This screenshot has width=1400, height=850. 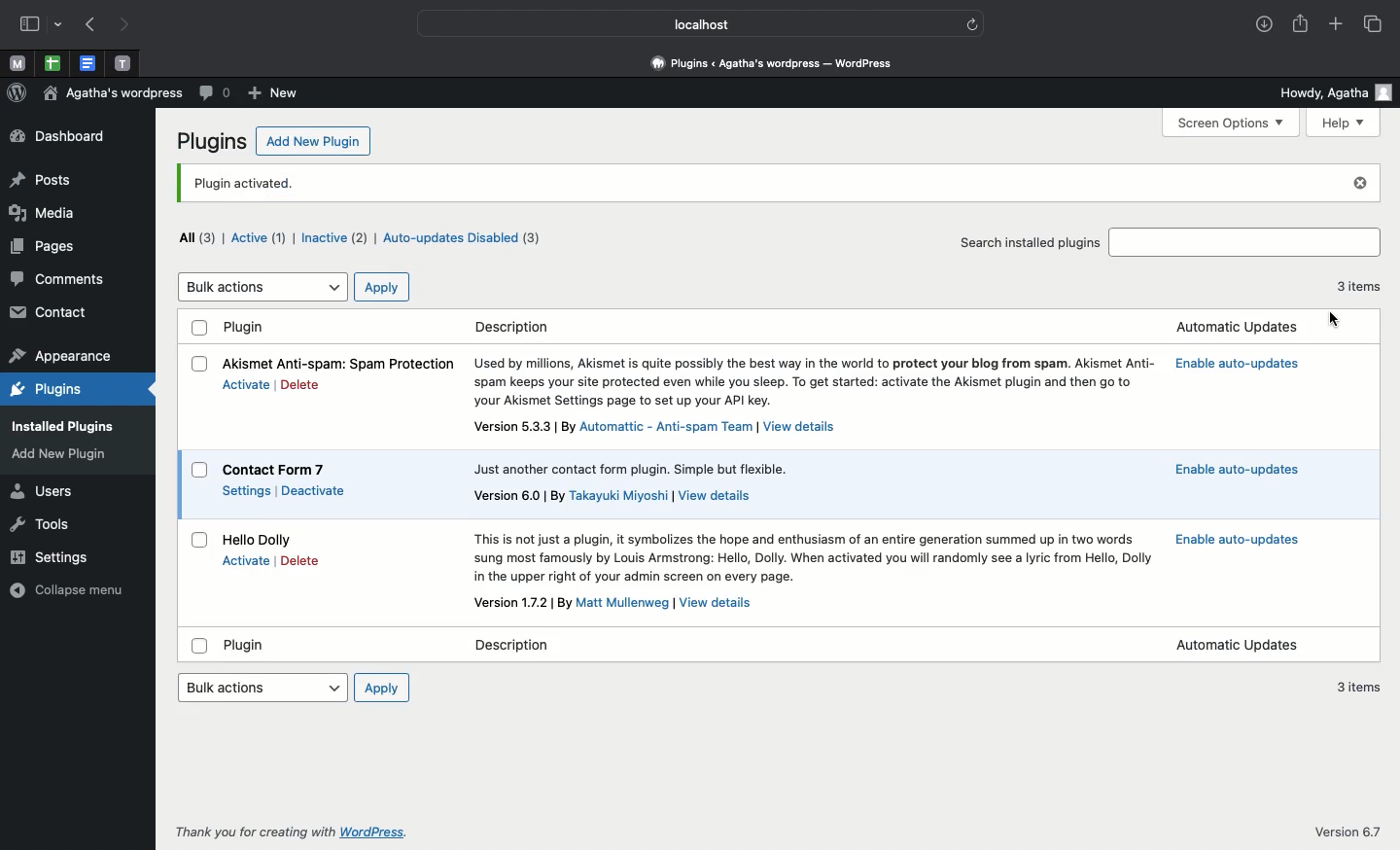 I want to click on Next page, so click(x=127, y=25).